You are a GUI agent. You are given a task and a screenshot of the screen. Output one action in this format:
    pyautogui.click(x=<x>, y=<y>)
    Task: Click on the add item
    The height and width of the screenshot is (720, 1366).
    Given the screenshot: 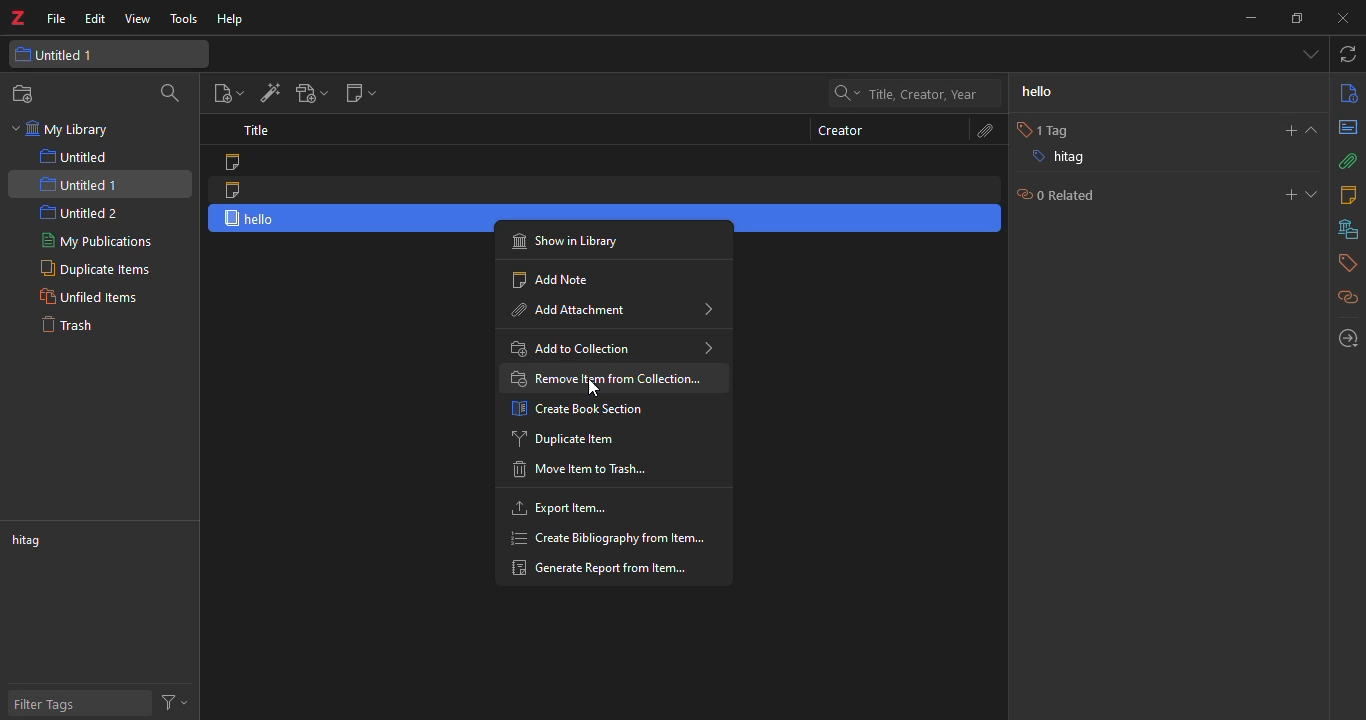 What is the action you would take?
    pyautogui.click(x=265, y=93)
    